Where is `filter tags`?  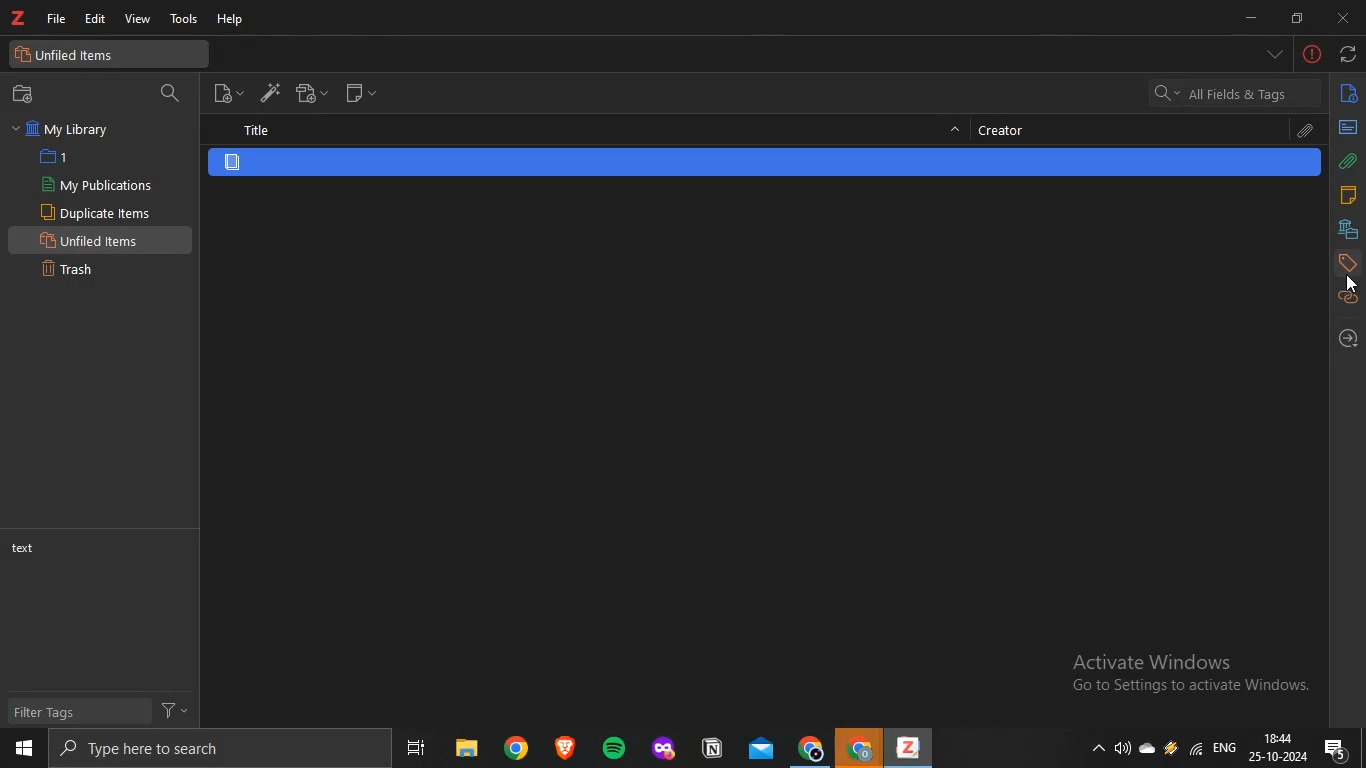 filter tags is located at coordinates (101, 709).